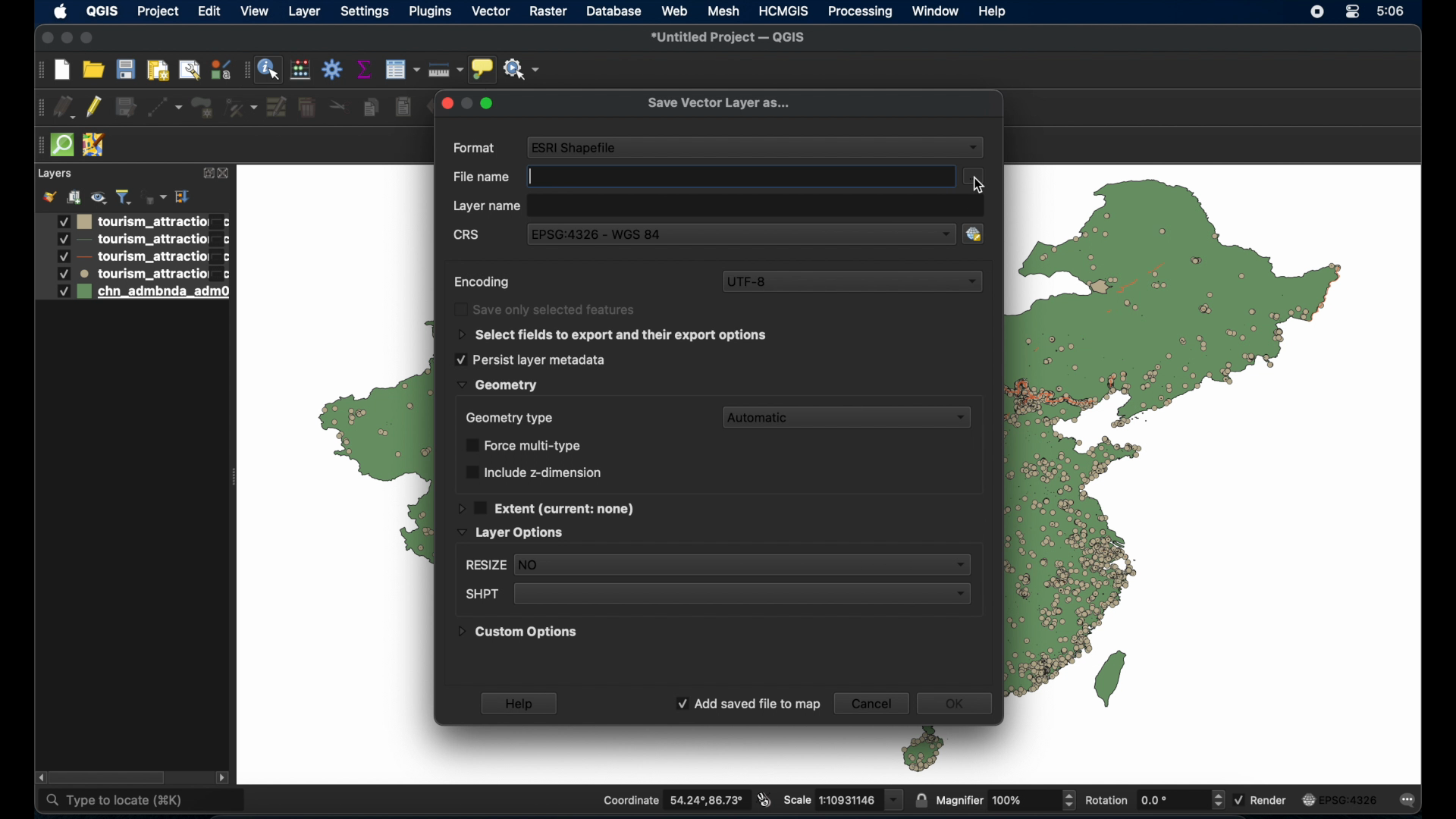  Describe the element at coordinates (432, 12) in the screenshot. I see `plugins` at that location.